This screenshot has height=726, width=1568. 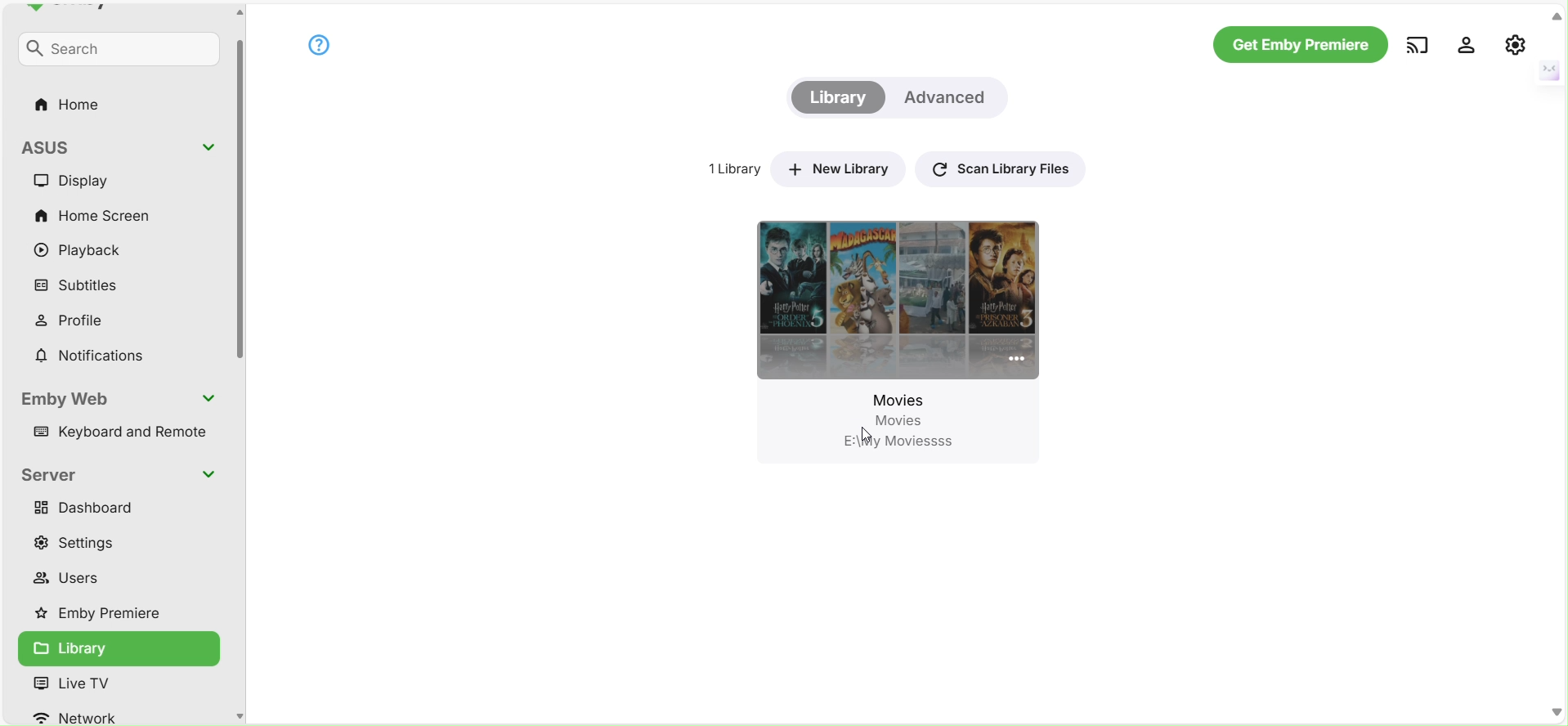 I want to click on Emby Premiere, so click(x=110, y=616).